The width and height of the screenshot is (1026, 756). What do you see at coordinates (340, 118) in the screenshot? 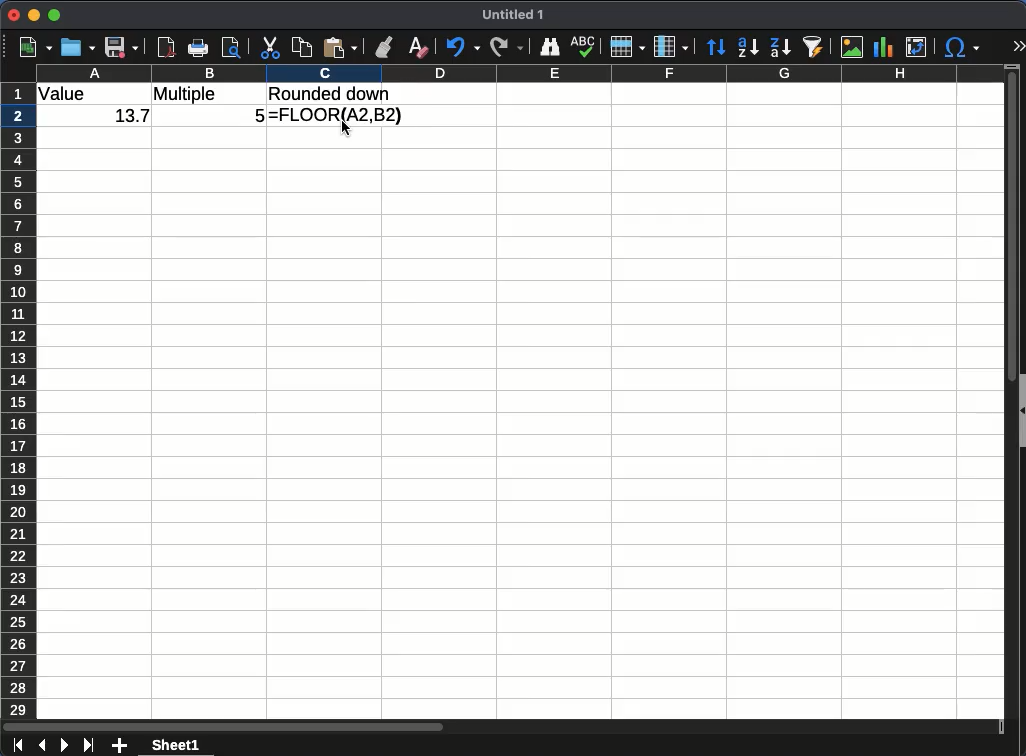
I see `floor function` at bounding box center [340, 118].